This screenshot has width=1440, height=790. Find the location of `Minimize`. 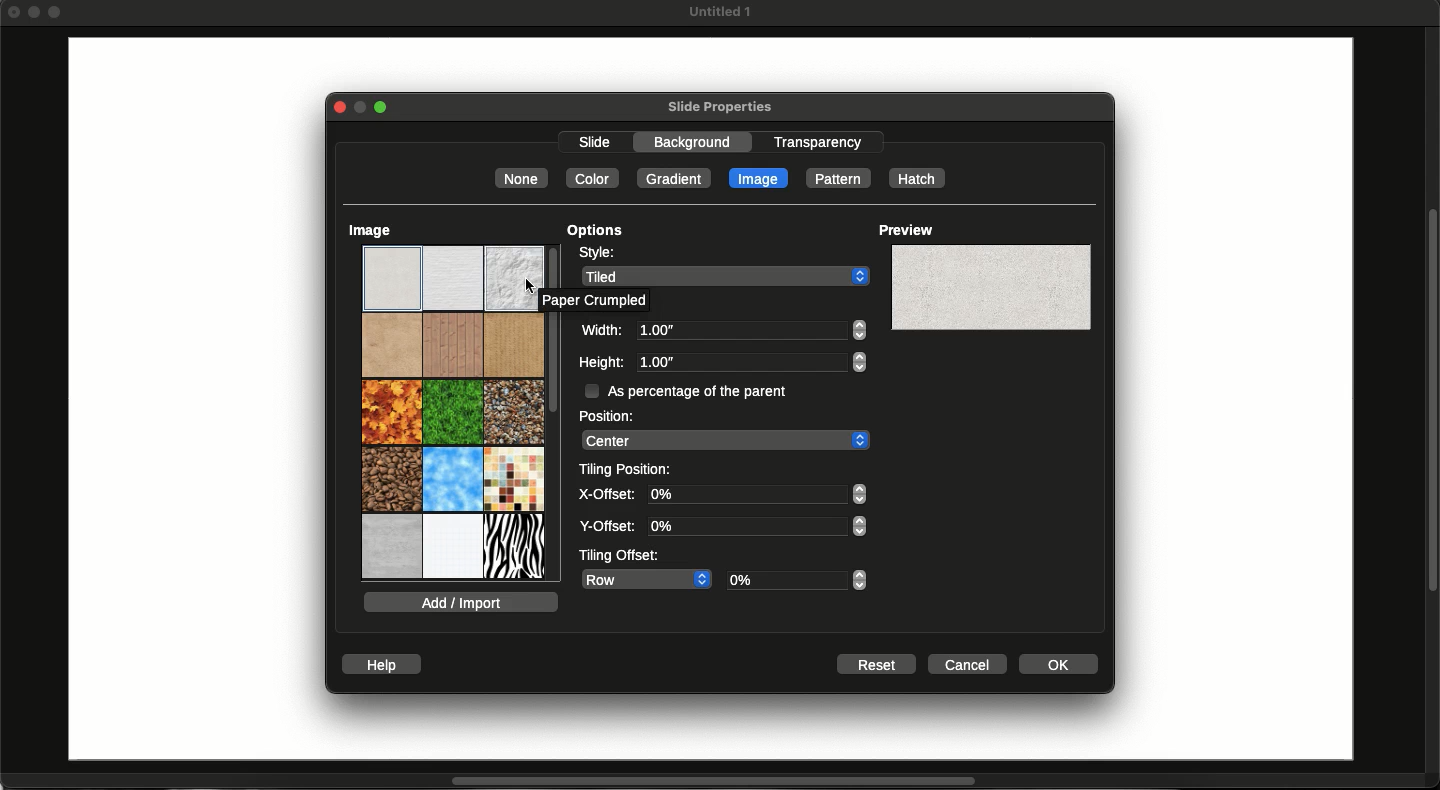

Minimize is located at coordinates (359, 108).